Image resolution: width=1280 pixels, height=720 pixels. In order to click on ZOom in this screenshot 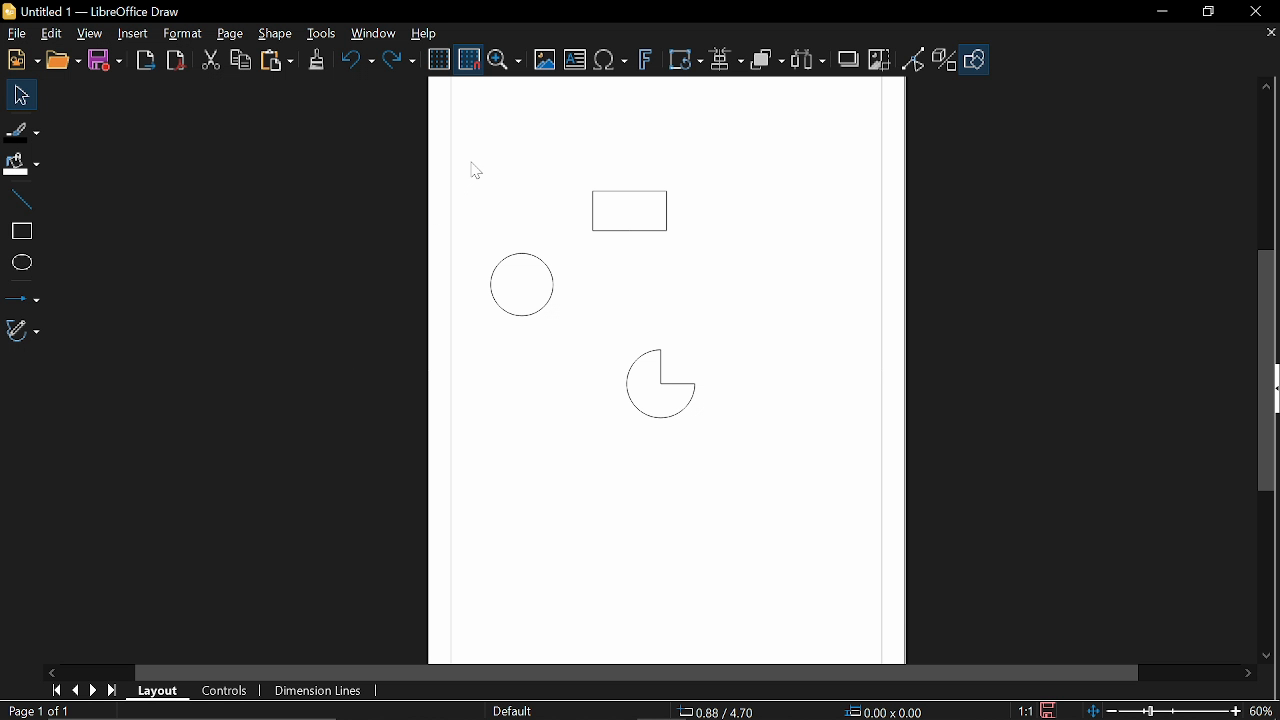, I will do `click(505, 59)`.